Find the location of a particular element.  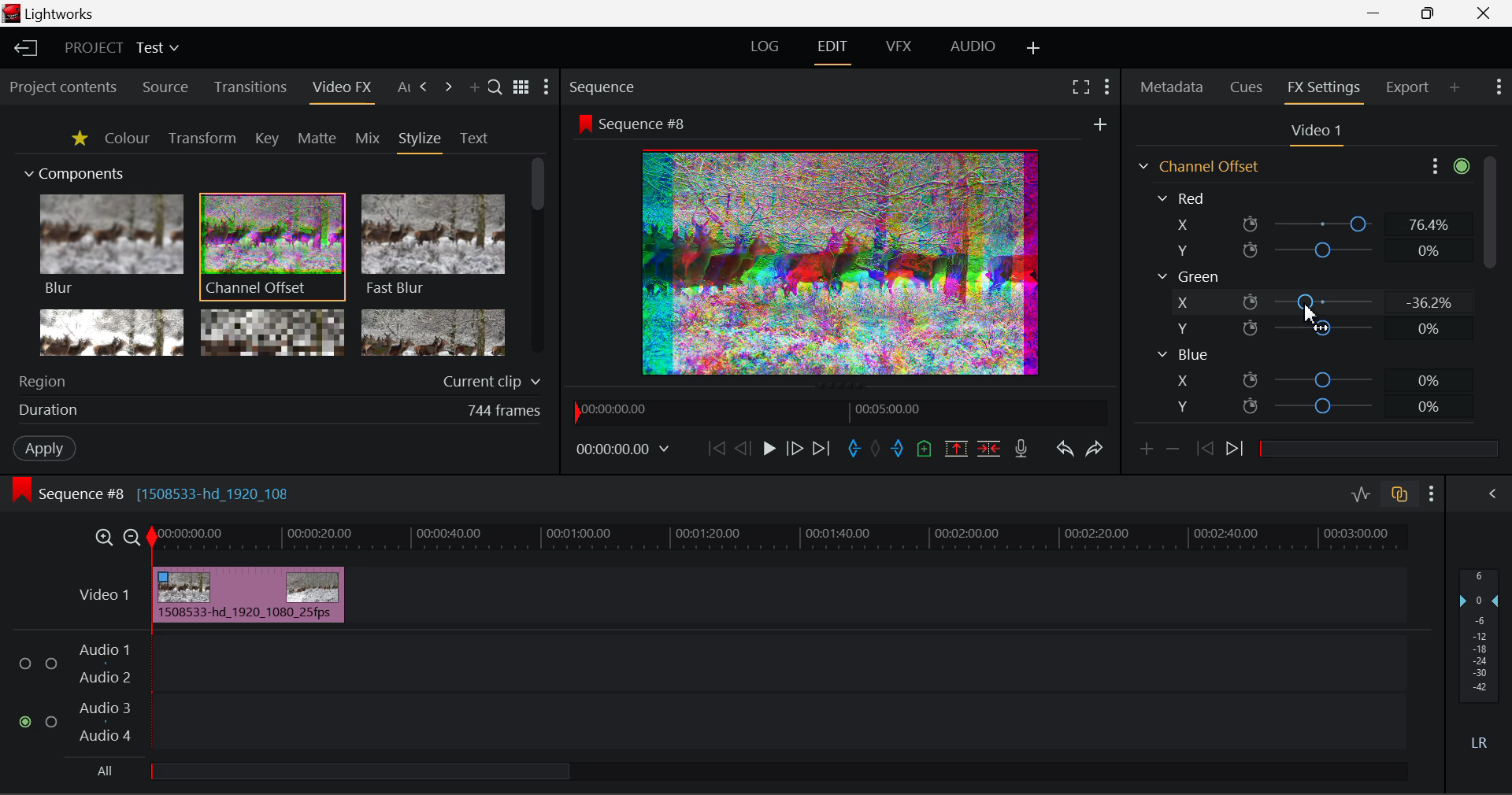

Sequence Editing Level is located at coordinates (156, 497).